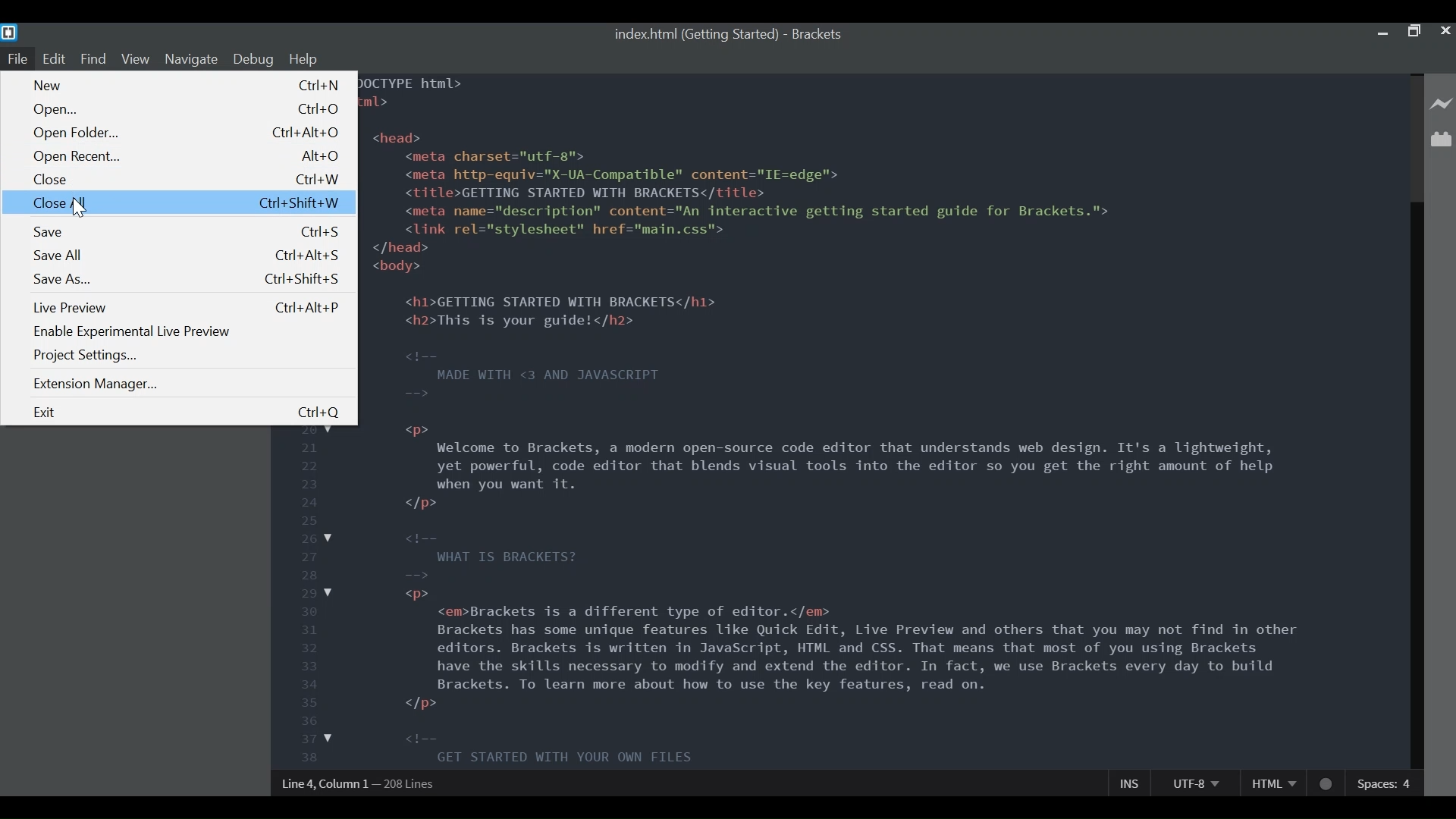 This screenshot has width=1456, height=819. What do you see at coordinates (820, 33) in the screenshot?
I see `Brackets` at bounding box center [820, 33].